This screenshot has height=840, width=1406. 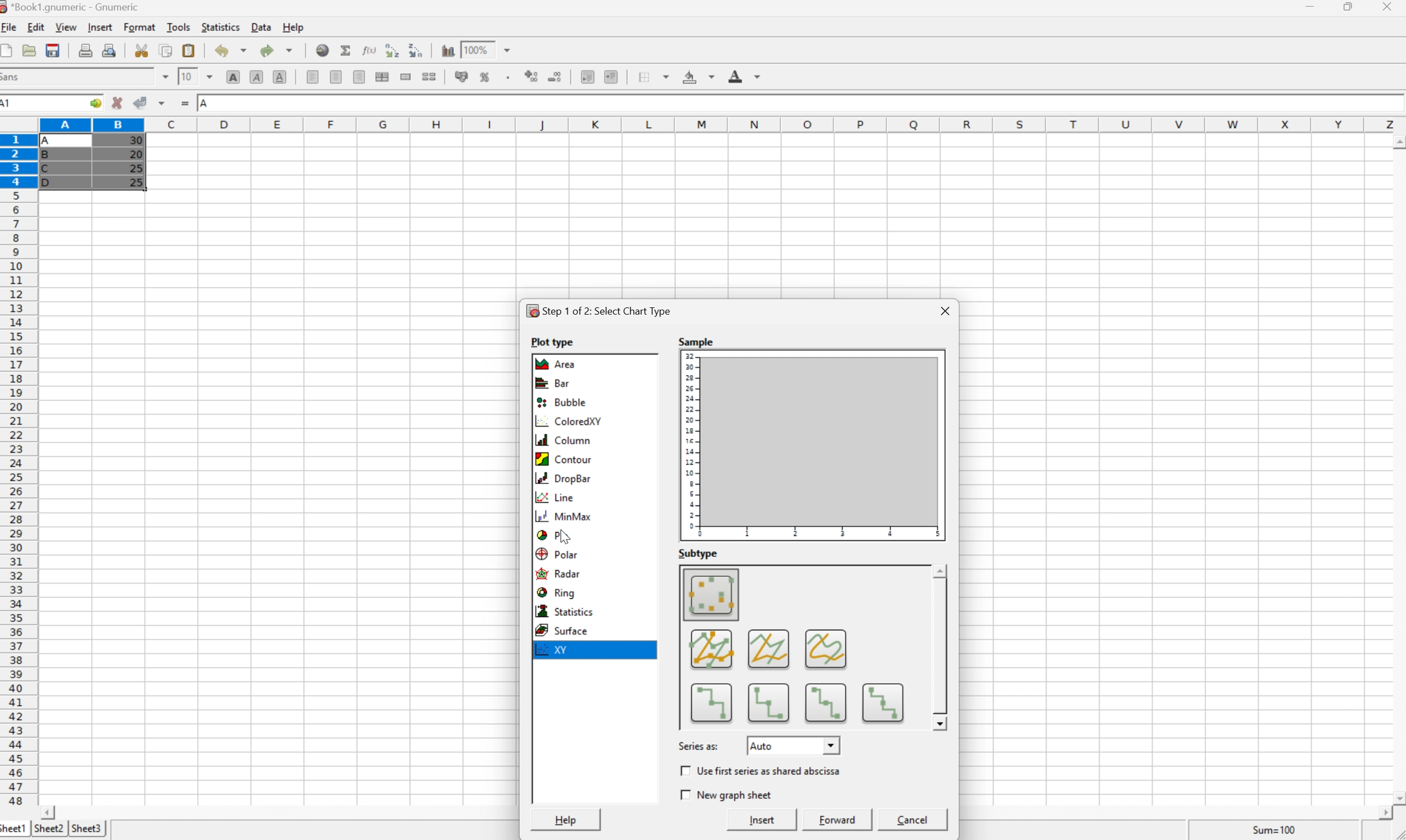 What do you see at coordinates (599, 311) in the screenshot?
I see `Step 1 of 2: Select Chart Type` at bounding box center [599, 311].